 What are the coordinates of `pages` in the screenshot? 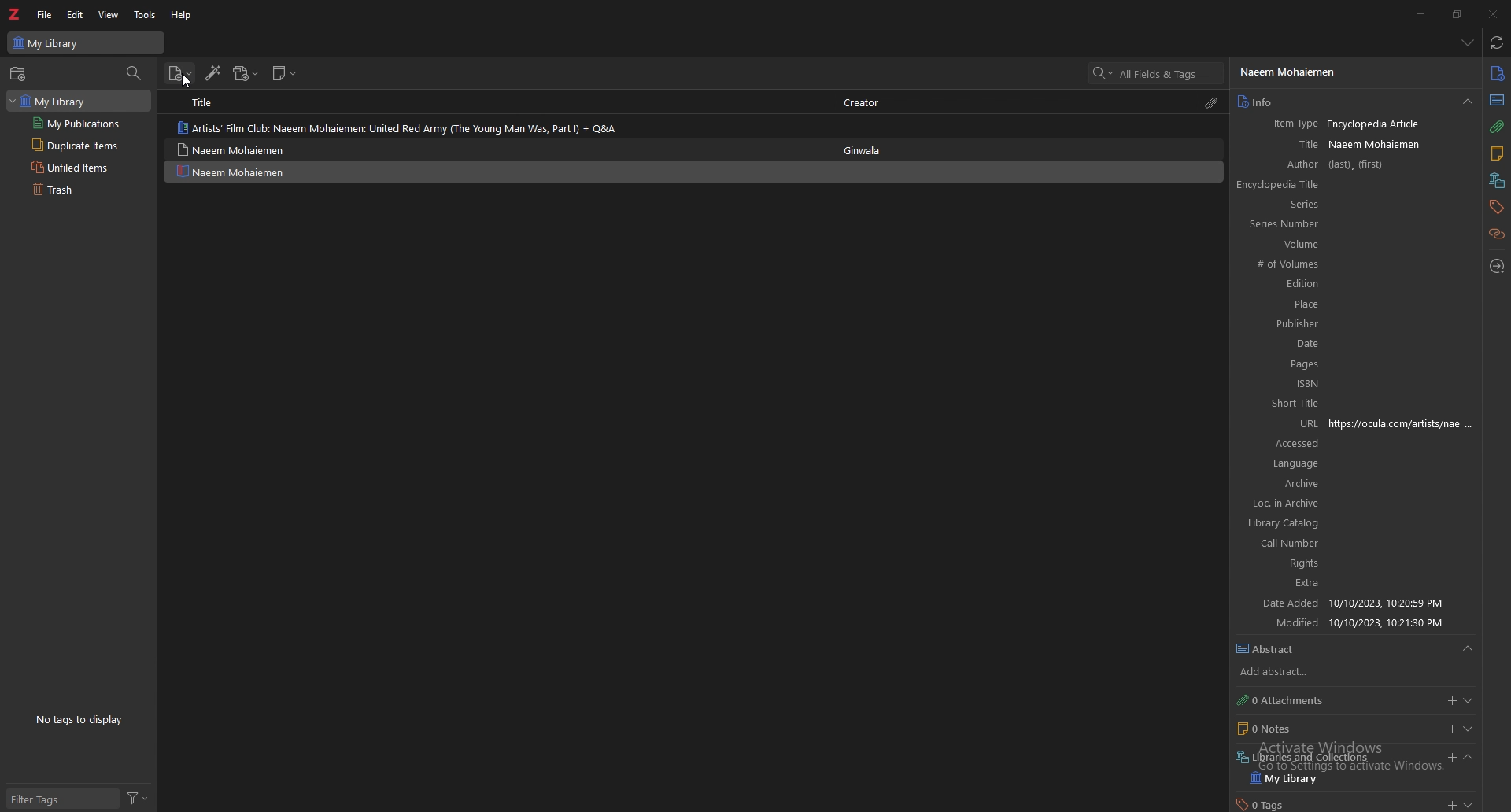 It's located at (1277, 364).